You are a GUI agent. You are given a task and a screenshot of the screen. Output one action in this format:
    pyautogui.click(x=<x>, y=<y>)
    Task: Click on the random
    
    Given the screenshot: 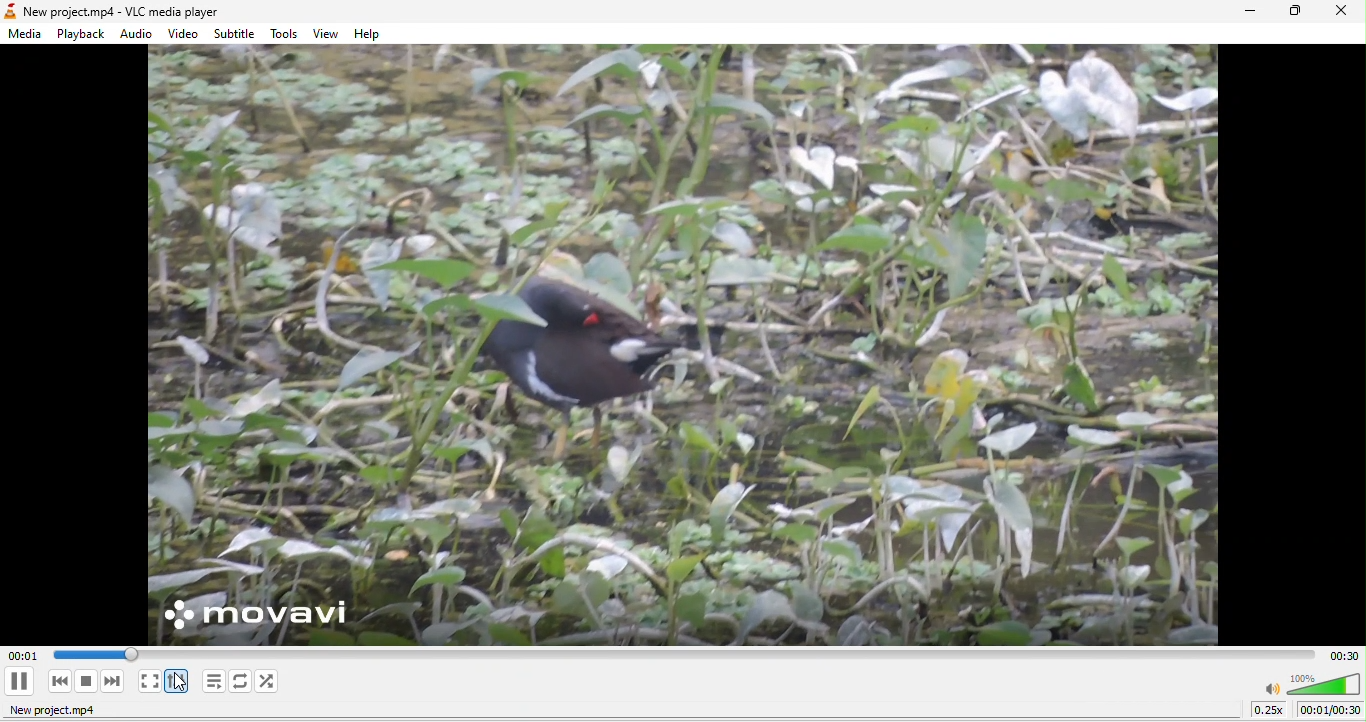 What is the action you would take?
    pyautogui.click(x=274, y=683)
    